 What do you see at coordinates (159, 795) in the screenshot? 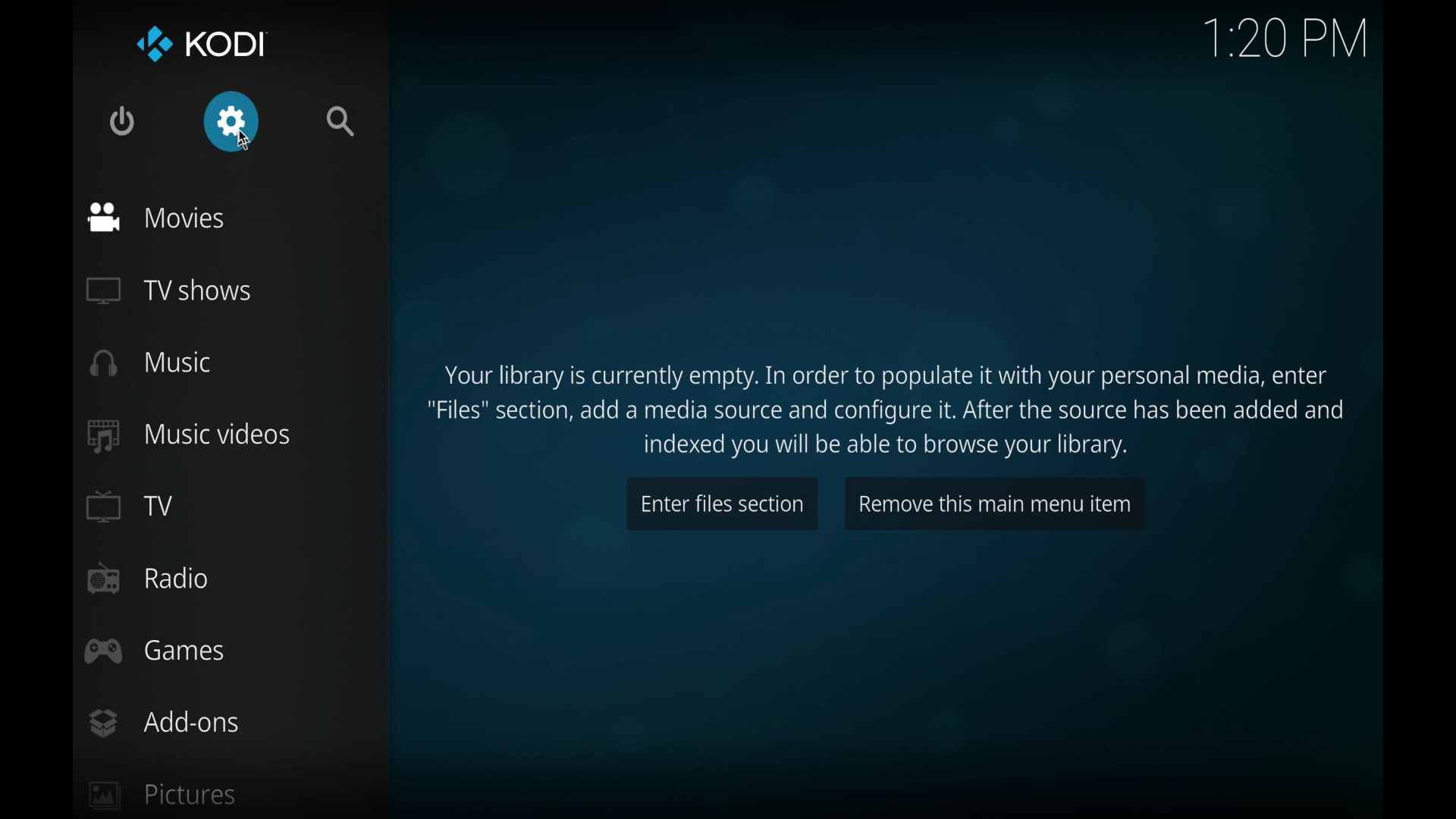
I see `pictures` at bounding box center [159, 795].